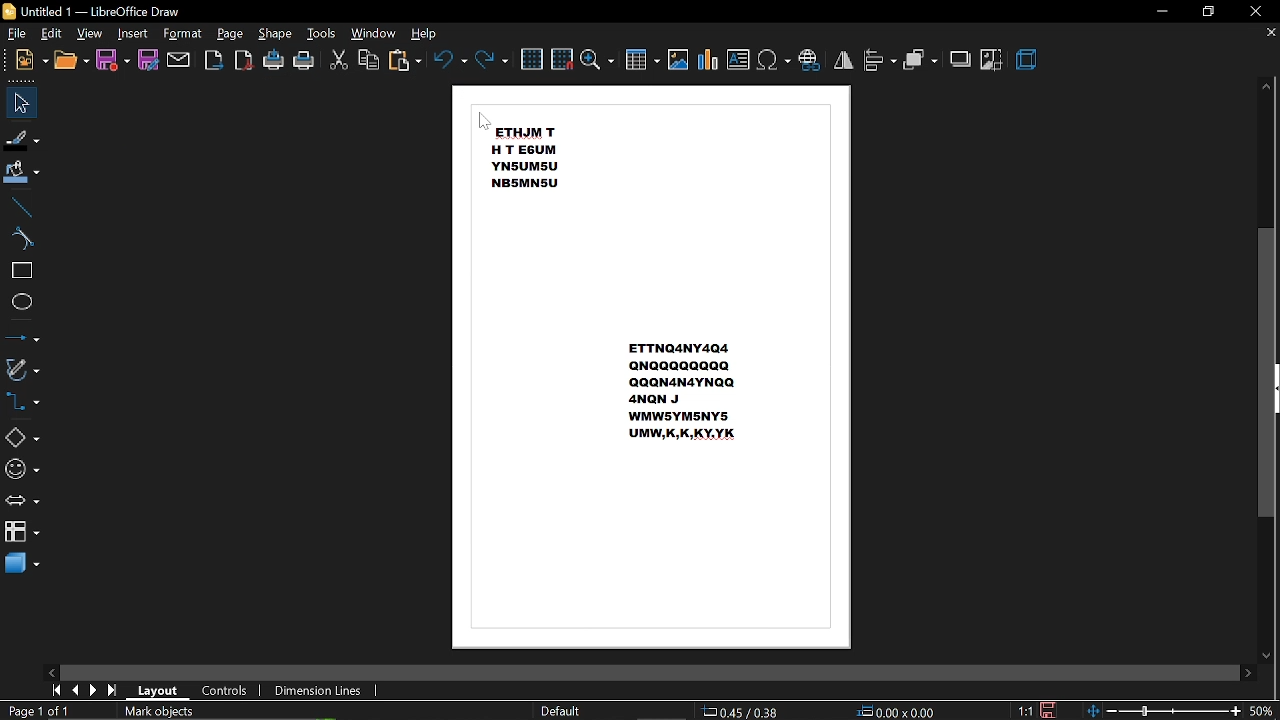 The height and width of the screenshot is (720, 1280). What do you see at coordinates (274, 34) in the screenshot?
I see `shape` at bounding box center [274, 34].